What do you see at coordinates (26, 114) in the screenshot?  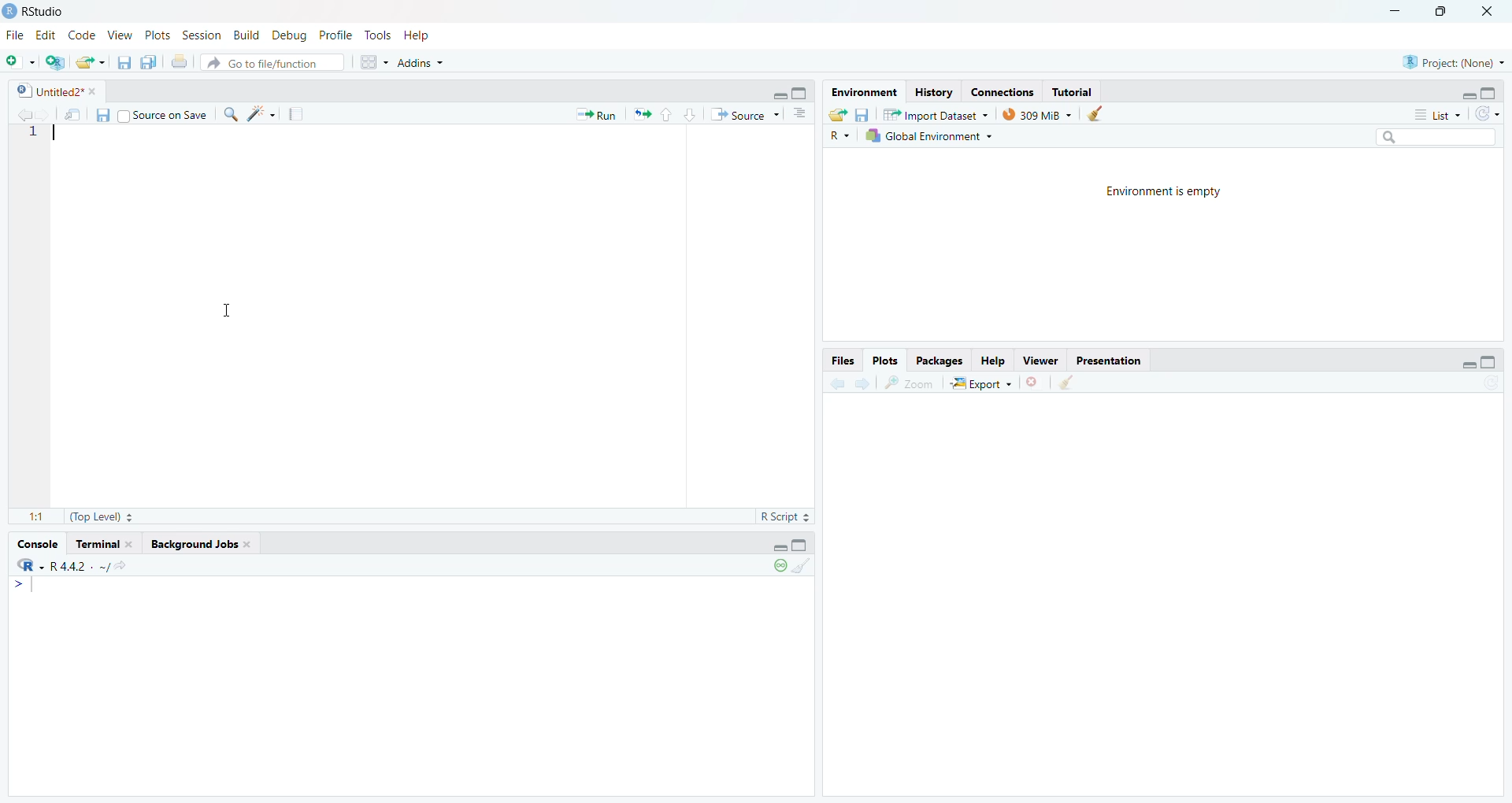 I see `back` at bounding box center [26, 114].